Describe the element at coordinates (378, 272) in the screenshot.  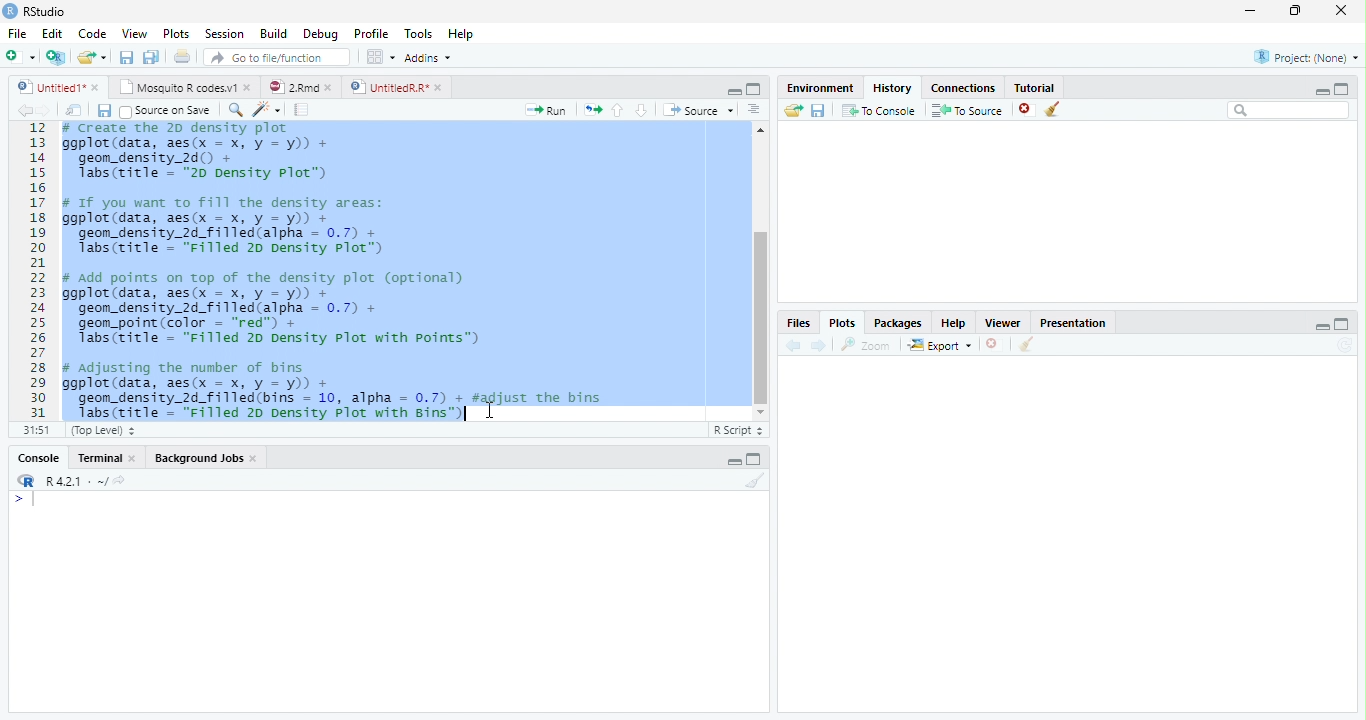
I see `12 # Create the ZD density plot
13 ggplot(data, aes(x = x, y = y)) +

14 geom_density_2d() +

15 Tabs(ritle - "20 Density Plot”)

16

17 # If you want to ill the density areas:

18 ggplot(data, aes(x = x, y = y)) +

19 geom_density_2d_filled(alpha = 0.7) +

20 Tabs(title = "Filled 20 Density Plot”)

21

22 # add points on top of the density plot (optional)

23 ggplot(data, aes(x = x, y = y)) +

24 geom_density_2d_filled(alpha = 0.7) +

25 geom_point(color = “red") +

26 Tabs(title = "Filled 20 Density Plot with points”)

27

28 # adjusting the number of bins

29 ggplot(data, aes(x = x, y = y)) +

30 geom_density_2d_filled(bins = 10, alpha = 0.7) + #adjust the bins
31 Jabs(ritle = “Filled 20 Density Plot with Bins")` at that location.